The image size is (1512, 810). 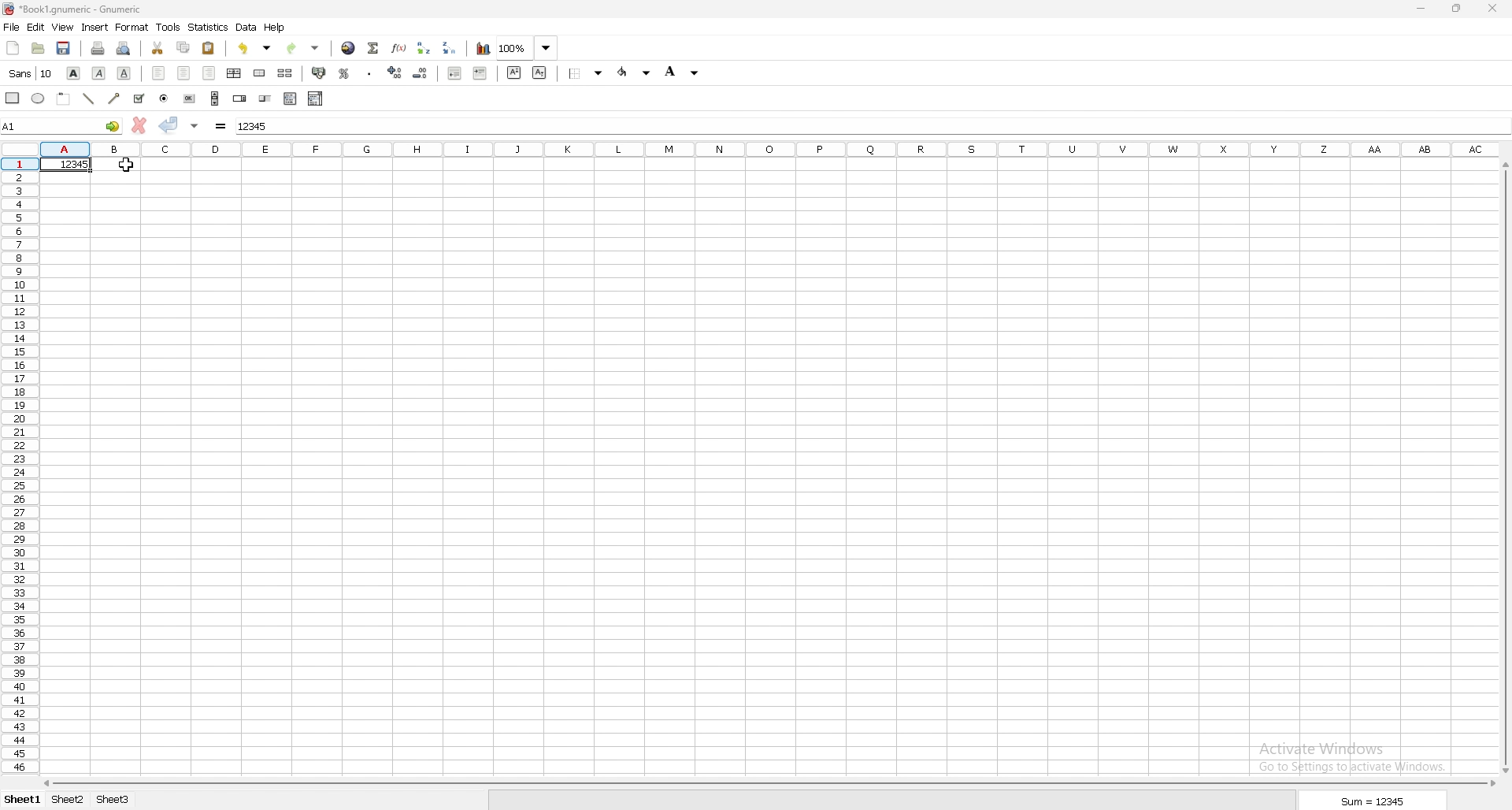 What do you see at coordinates (370, 73) in the screenshot?
I see `thousands separator` at bounding box center [370, 73].